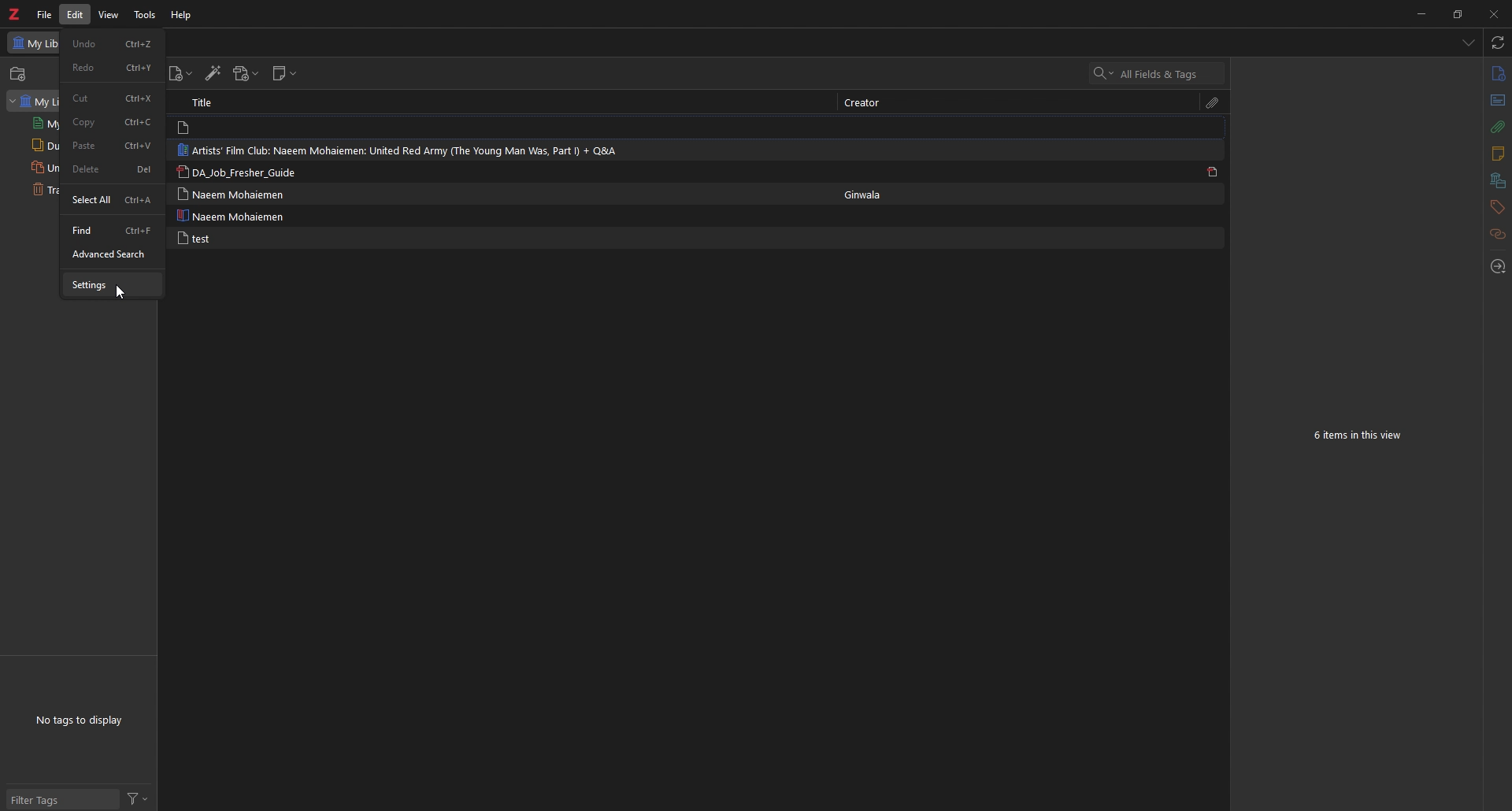 This screenshot has width=1512, height=811. What do you see at coordinates (112, 146) in the screenshot?
I see `Paste Ctrl+V` at bounding box center [112, 146].